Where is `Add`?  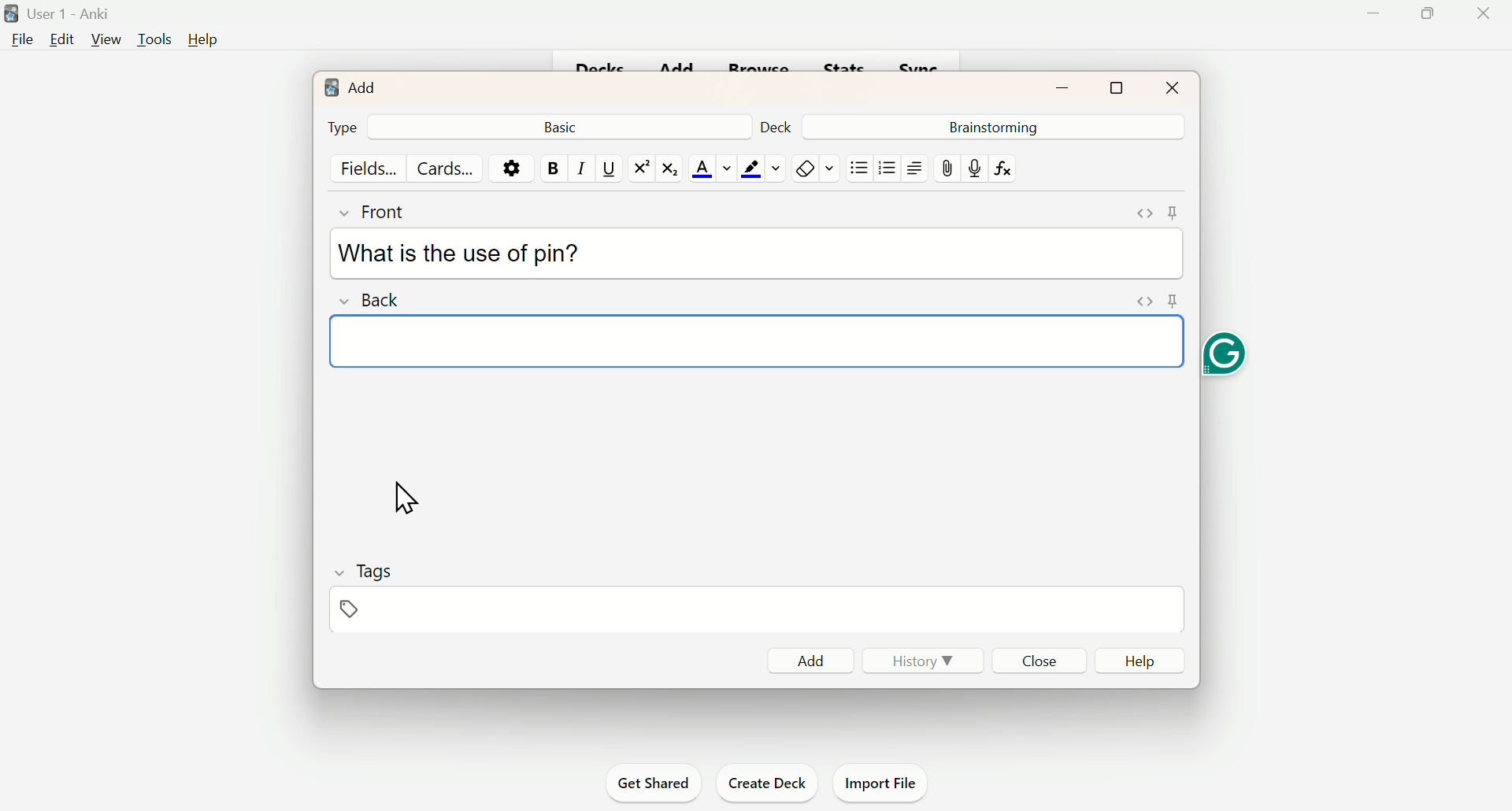 Add is located at coordinates (352, 86).